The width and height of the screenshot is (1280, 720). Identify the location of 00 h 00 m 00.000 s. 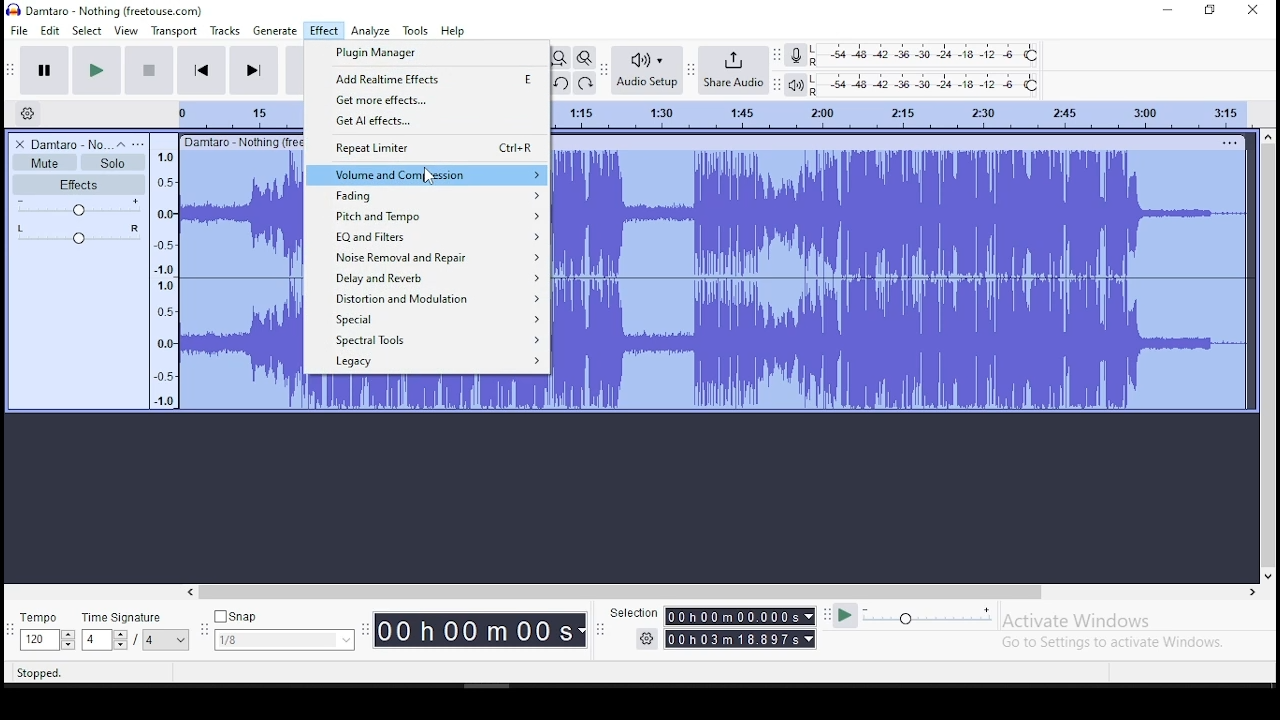
(740, 616).